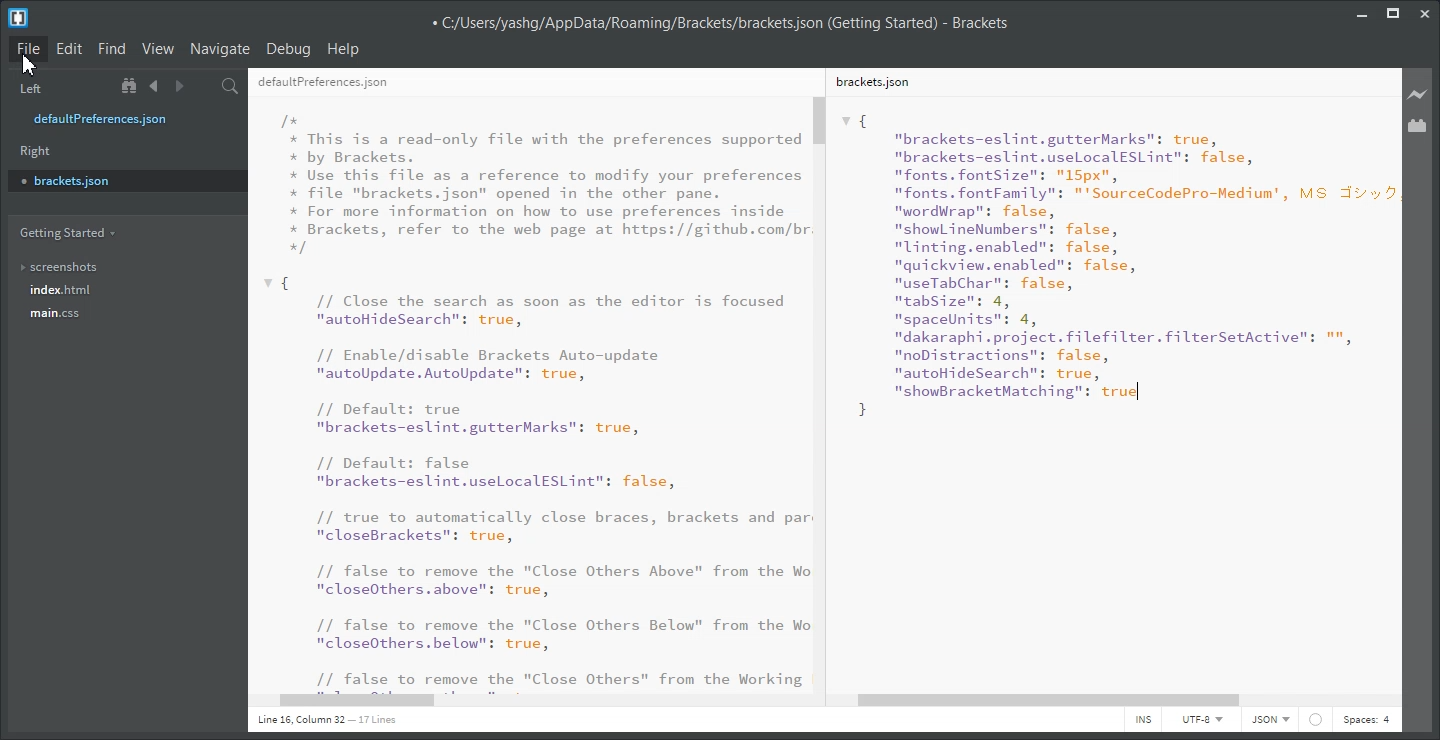 The width and height of the screenshot is (1440, 740). Describe the element at coordinates (58, 313) in the screenshot. I see `main.css` at that location.